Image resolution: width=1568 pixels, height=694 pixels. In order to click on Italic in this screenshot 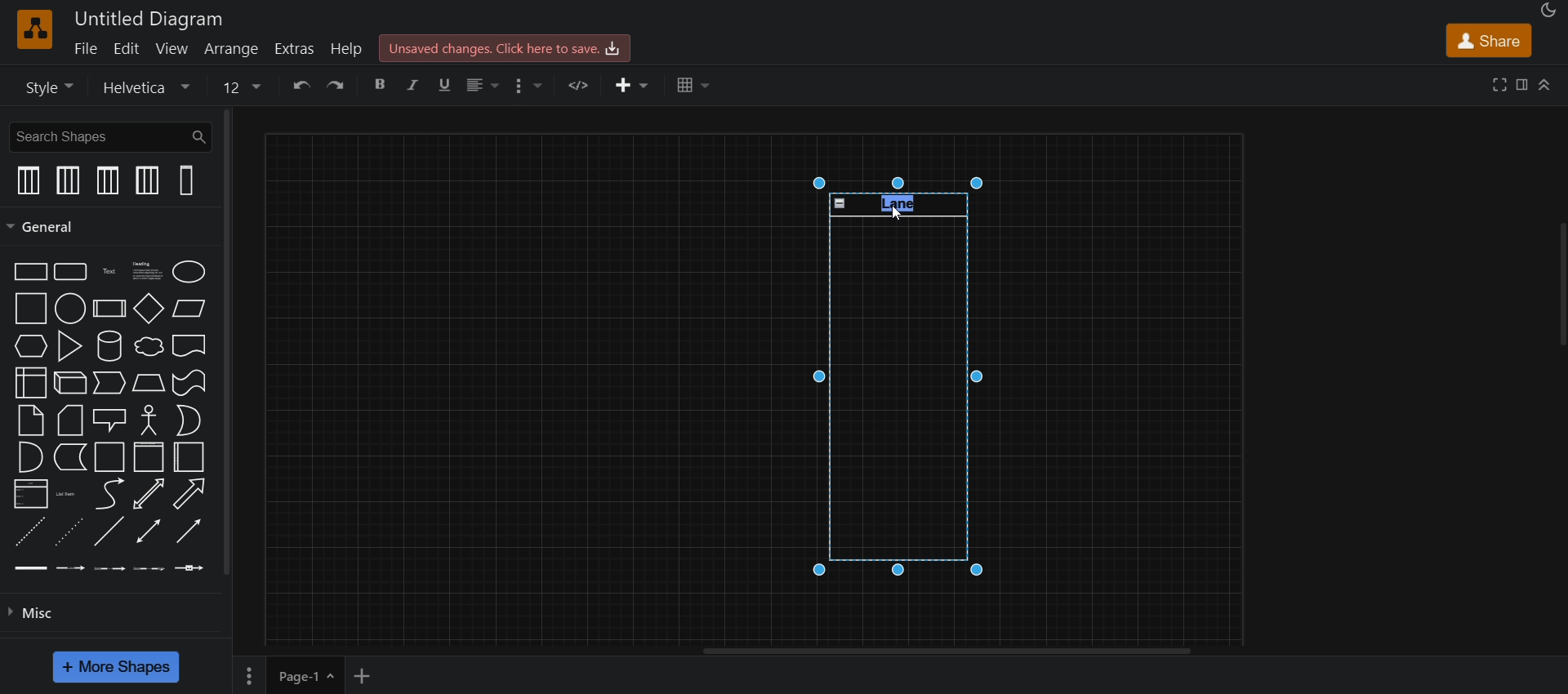, I will do `click(421, 87)`.